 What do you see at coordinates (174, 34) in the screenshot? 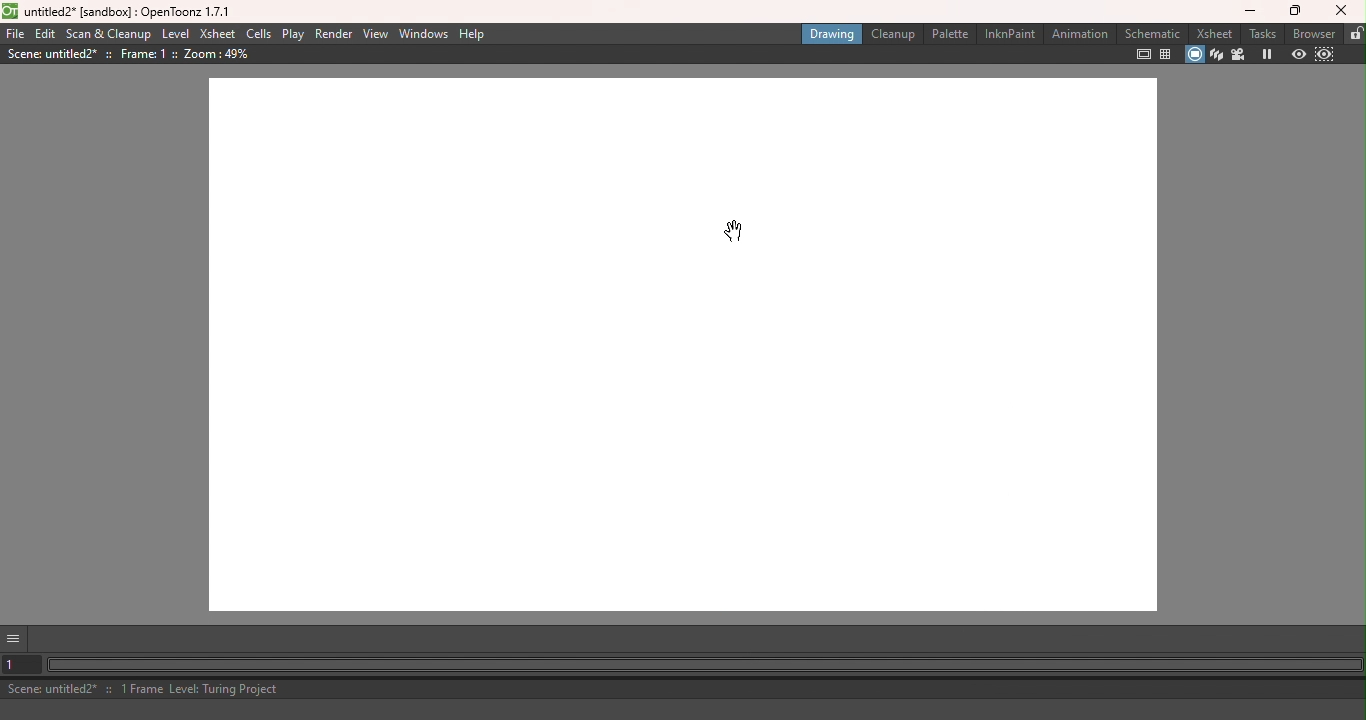
I see `Level` at bounding box center [174, 34].